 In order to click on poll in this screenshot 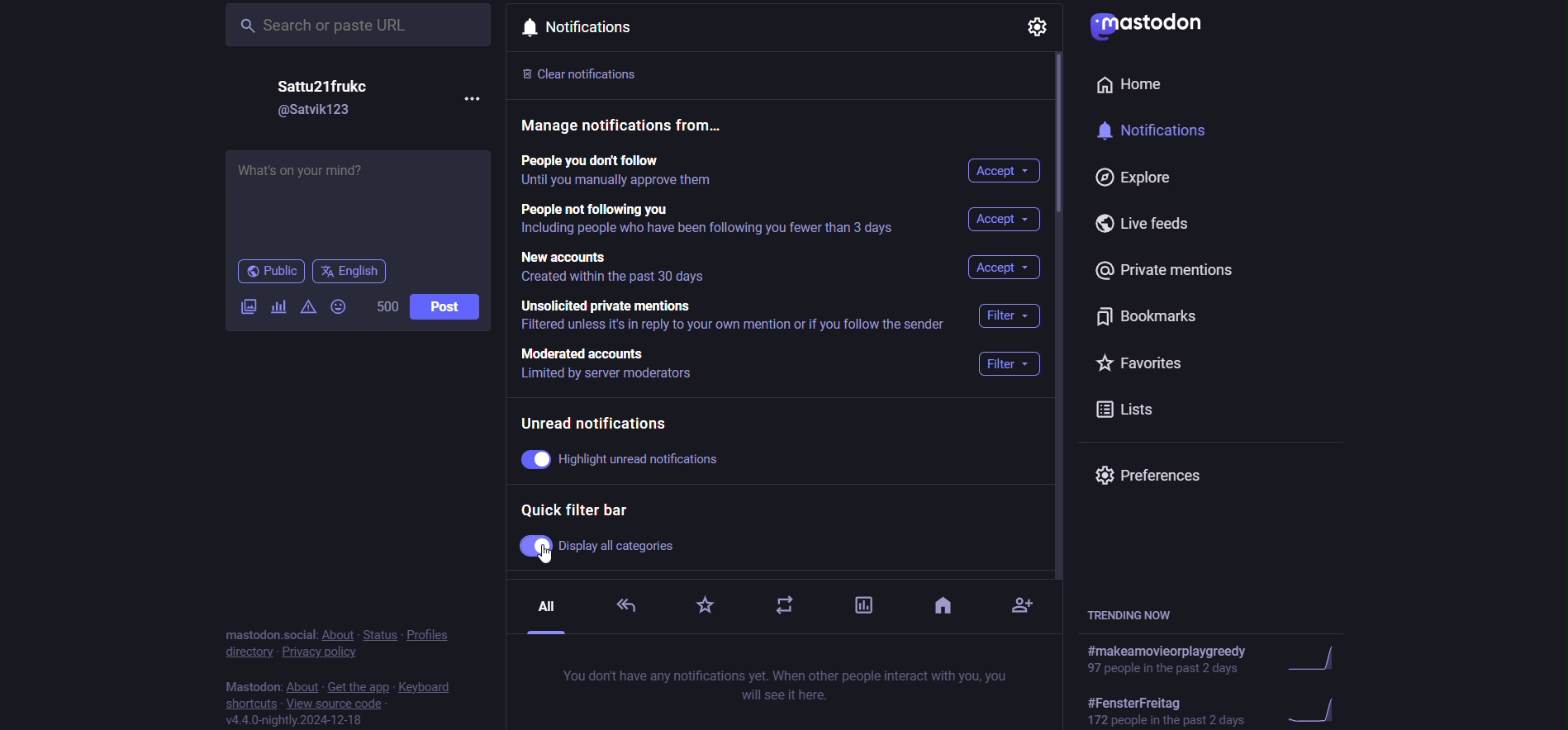, I will do `click(276, 306)`.